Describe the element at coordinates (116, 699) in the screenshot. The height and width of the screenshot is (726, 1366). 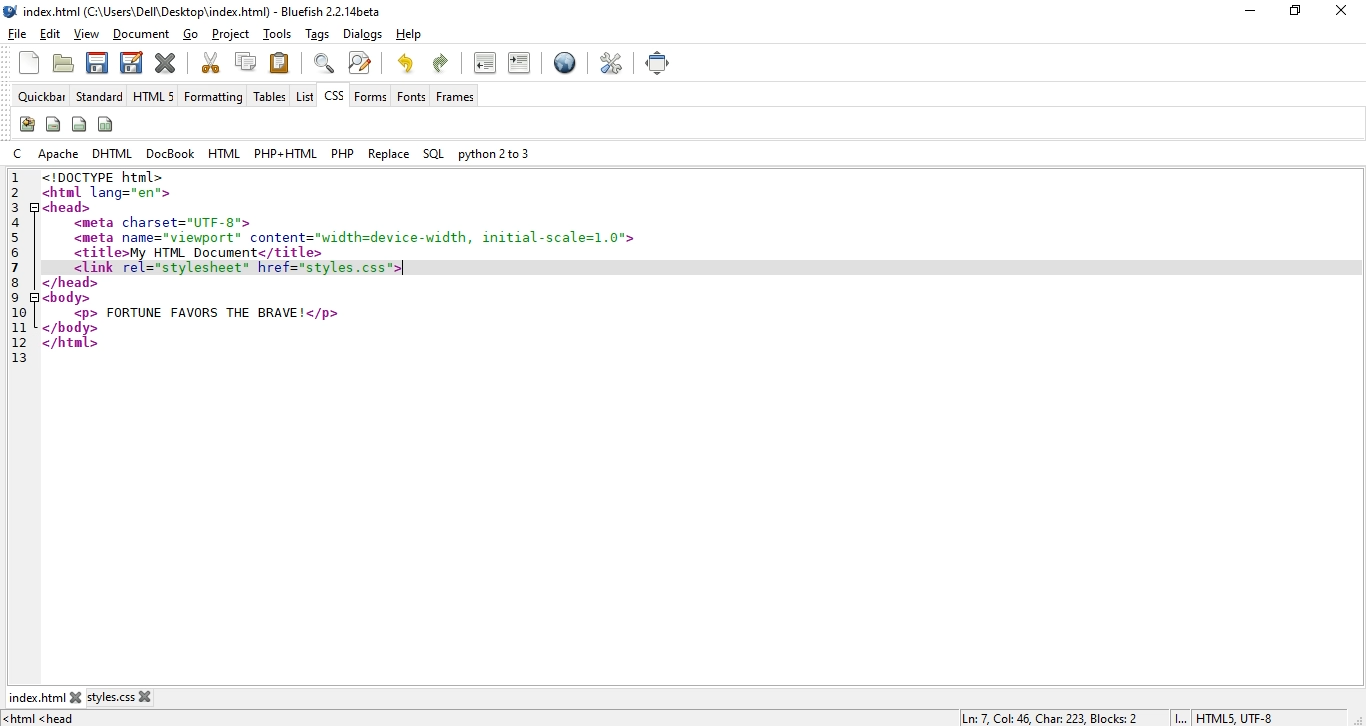
I see `styles.css` at that location.